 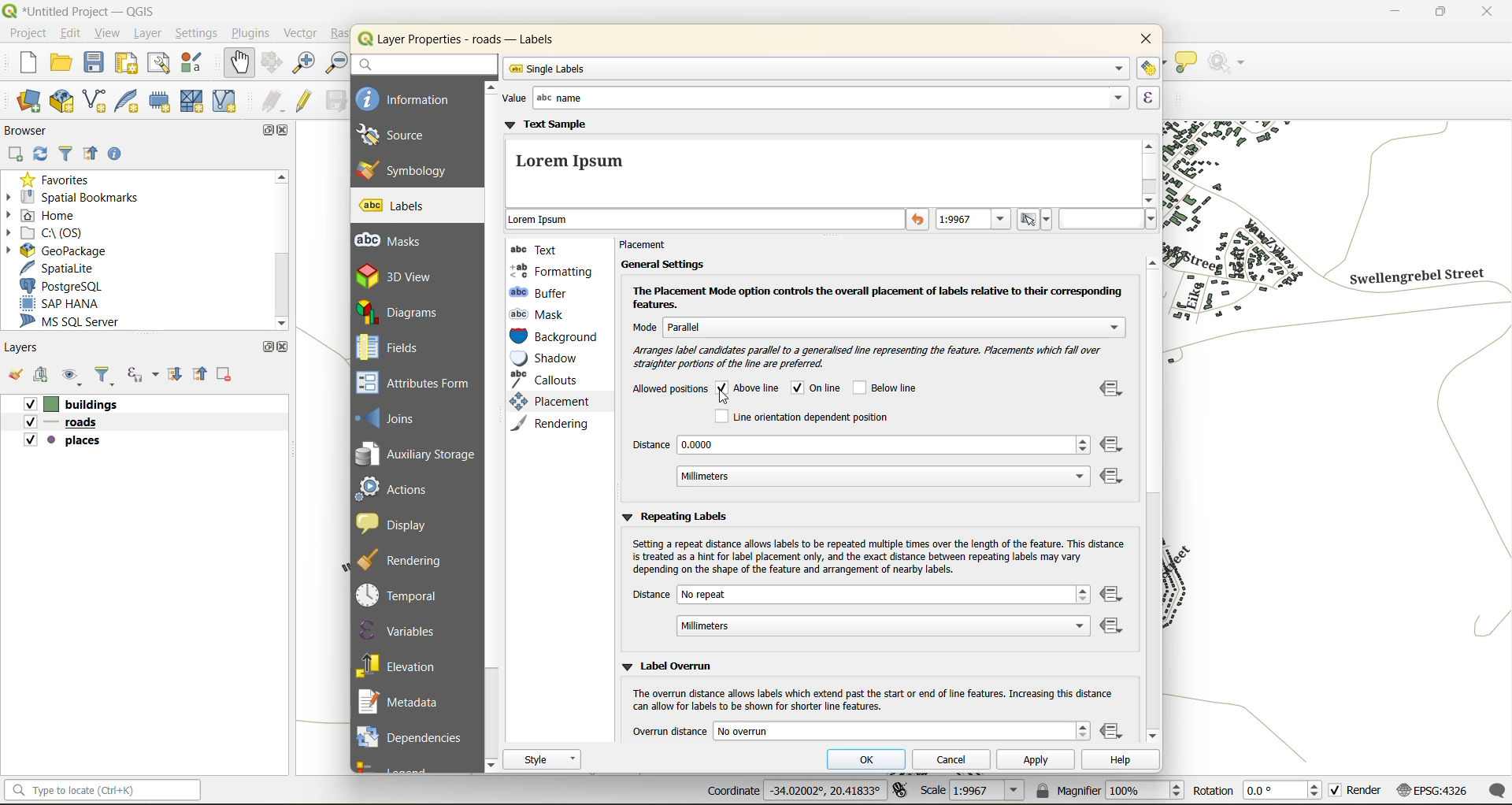 I want to click on close, so click(x=1483, y=13).